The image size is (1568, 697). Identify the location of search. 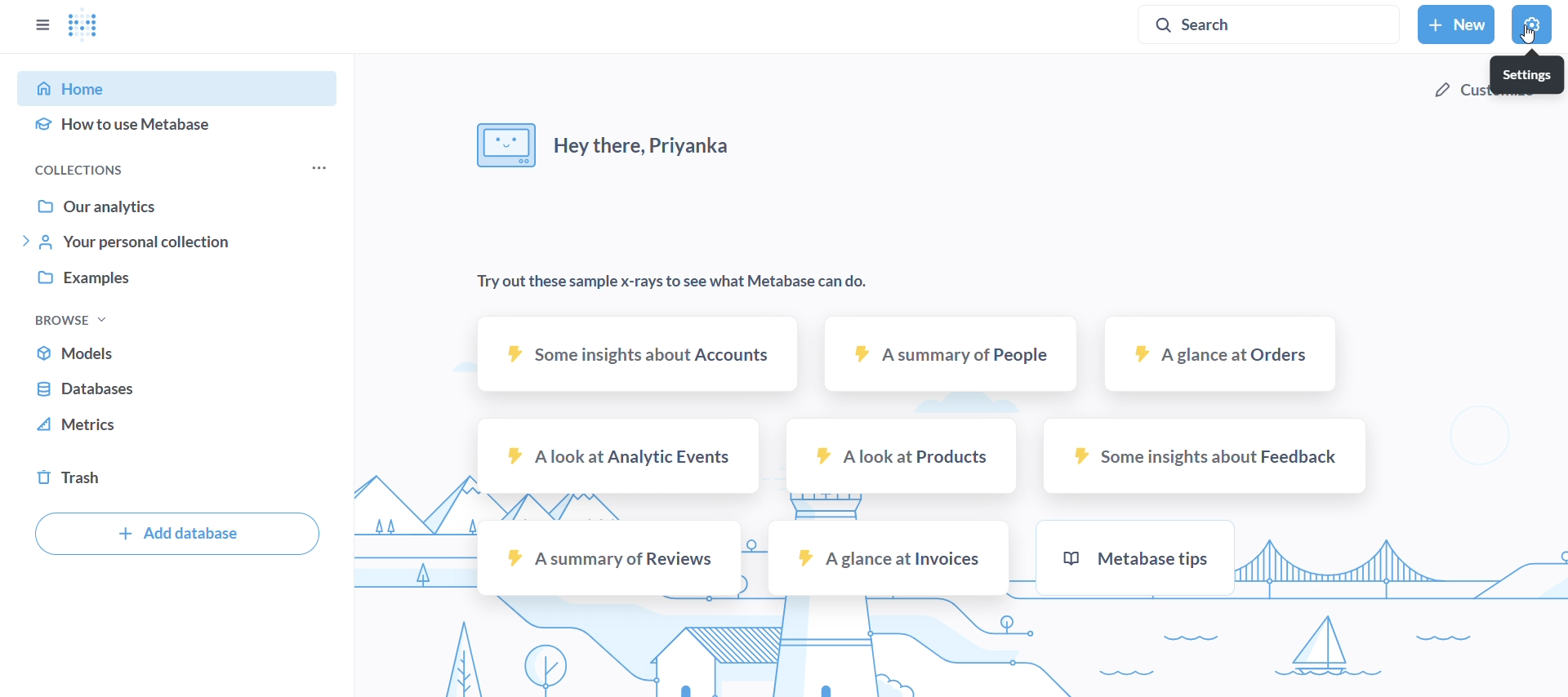
(1270, 26).